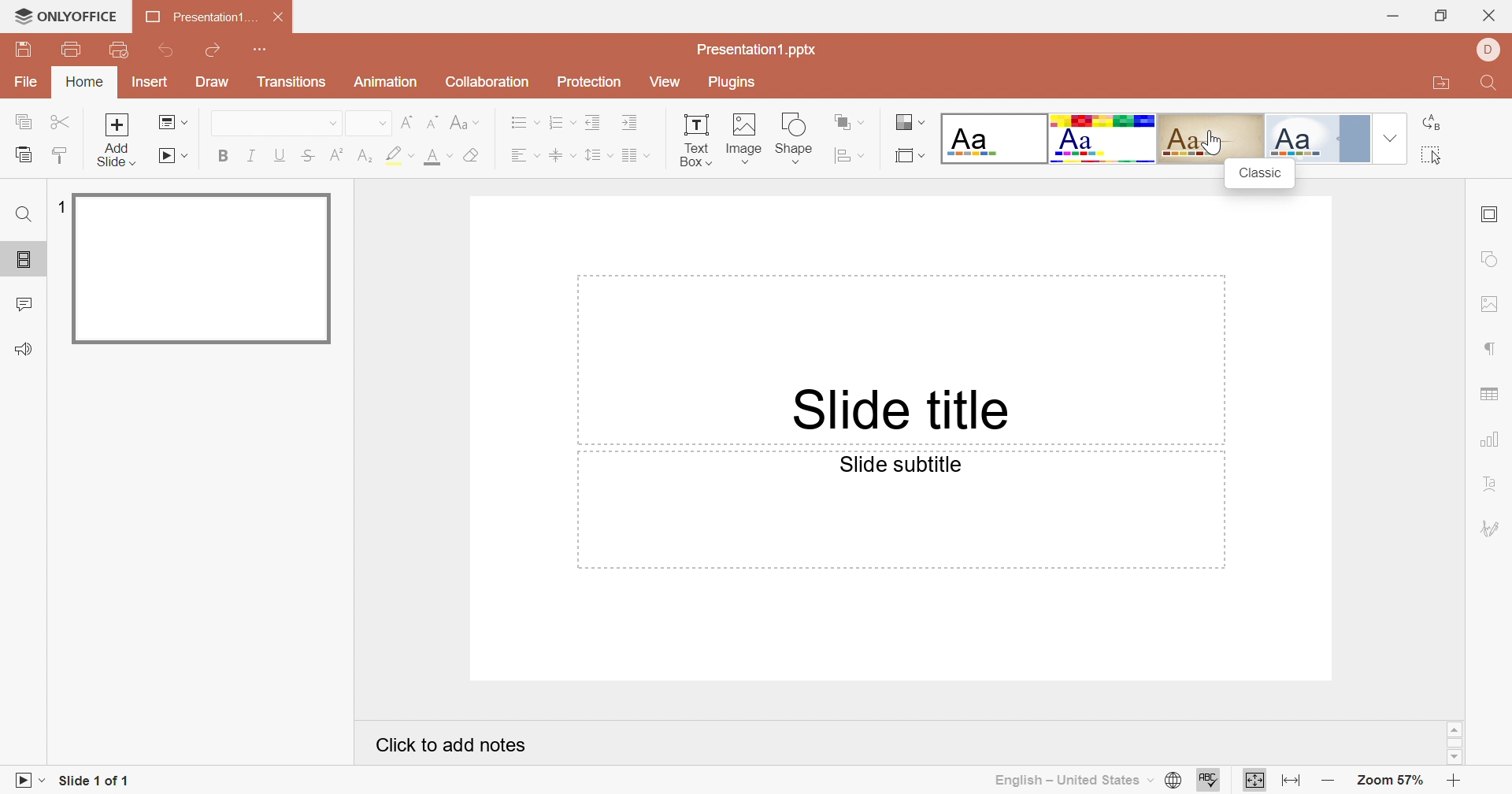 This screenshot has width=1512, height=794. Describe the element at coordinates (1174, 782) in the screenshot. I see `Set document language` at that location.